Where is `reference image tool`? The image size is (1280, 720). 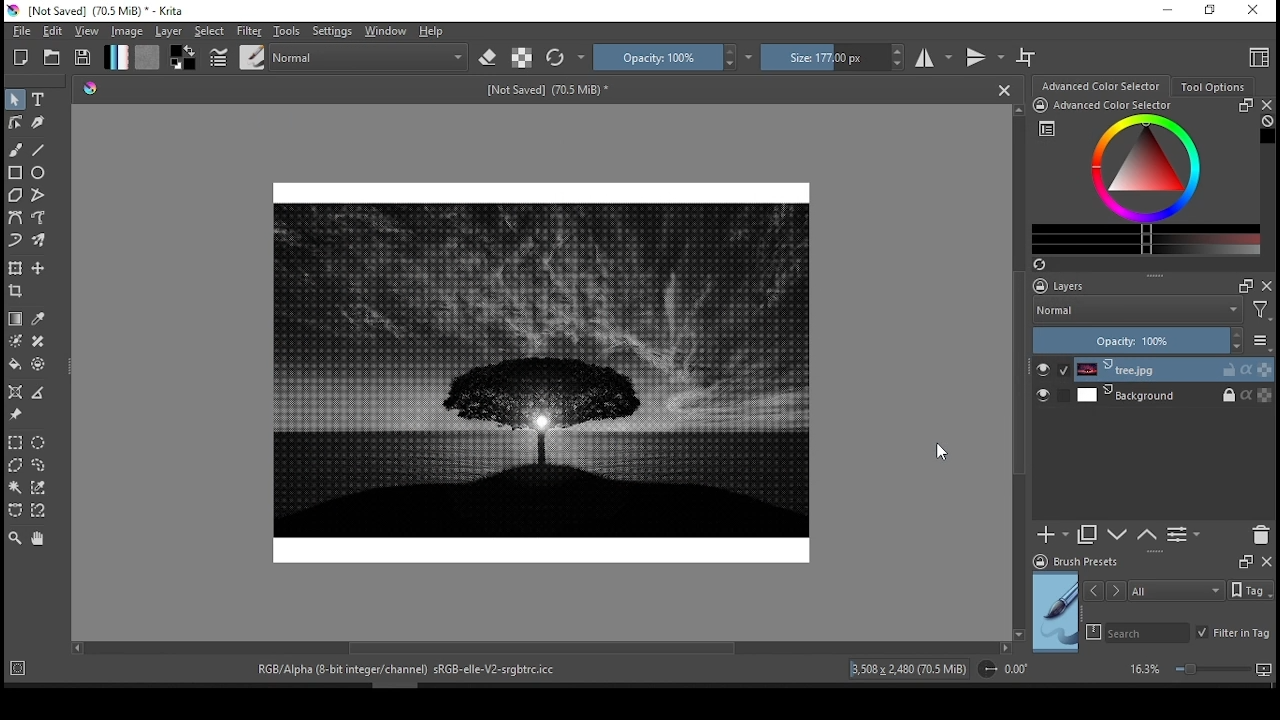 reference image tool is located at coordinates (15, 413).